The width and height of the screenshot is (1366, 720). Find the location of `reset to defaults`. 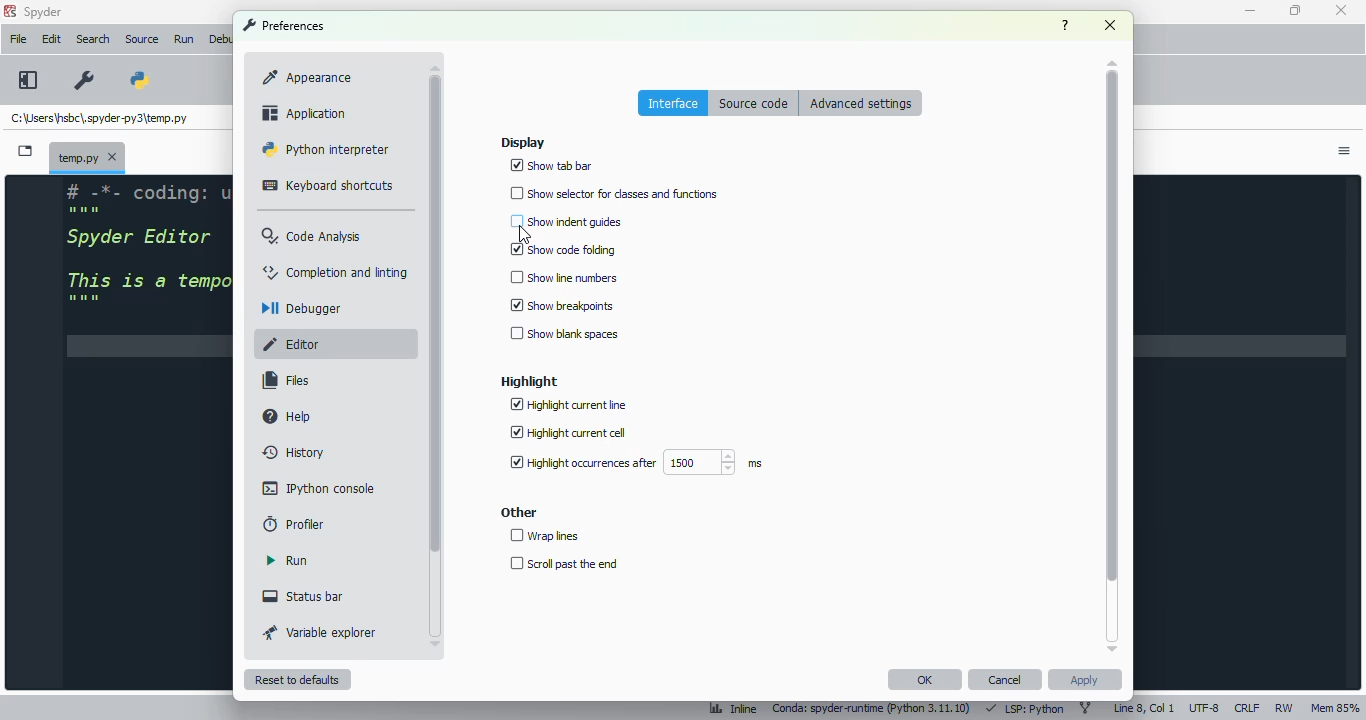

reset to defaults is located at coordinates (299, 679).